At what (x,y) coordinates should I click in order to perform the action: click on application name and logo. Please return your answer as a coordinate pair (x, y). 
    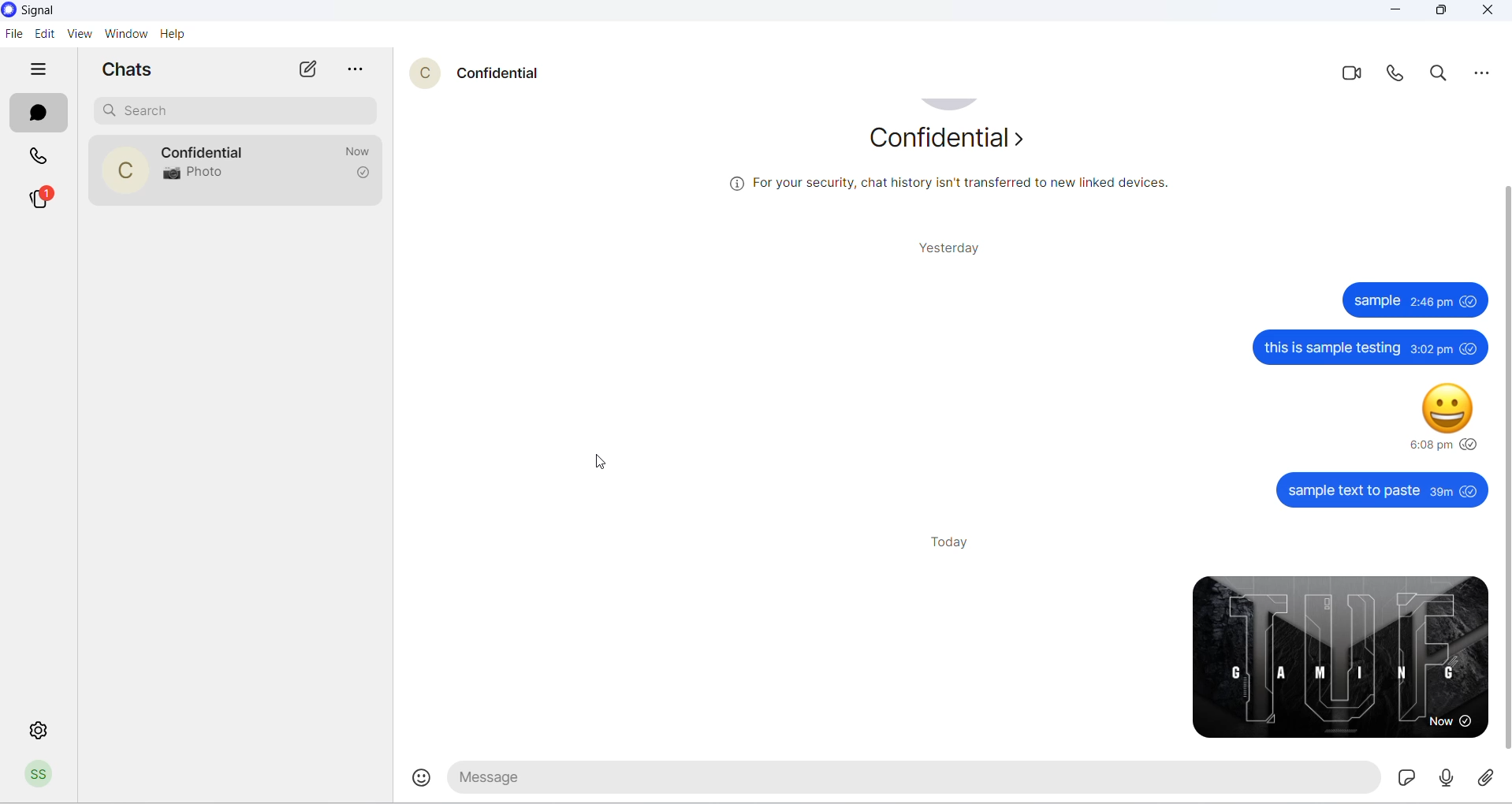
    Looking at the image, I should click on (43, 11).